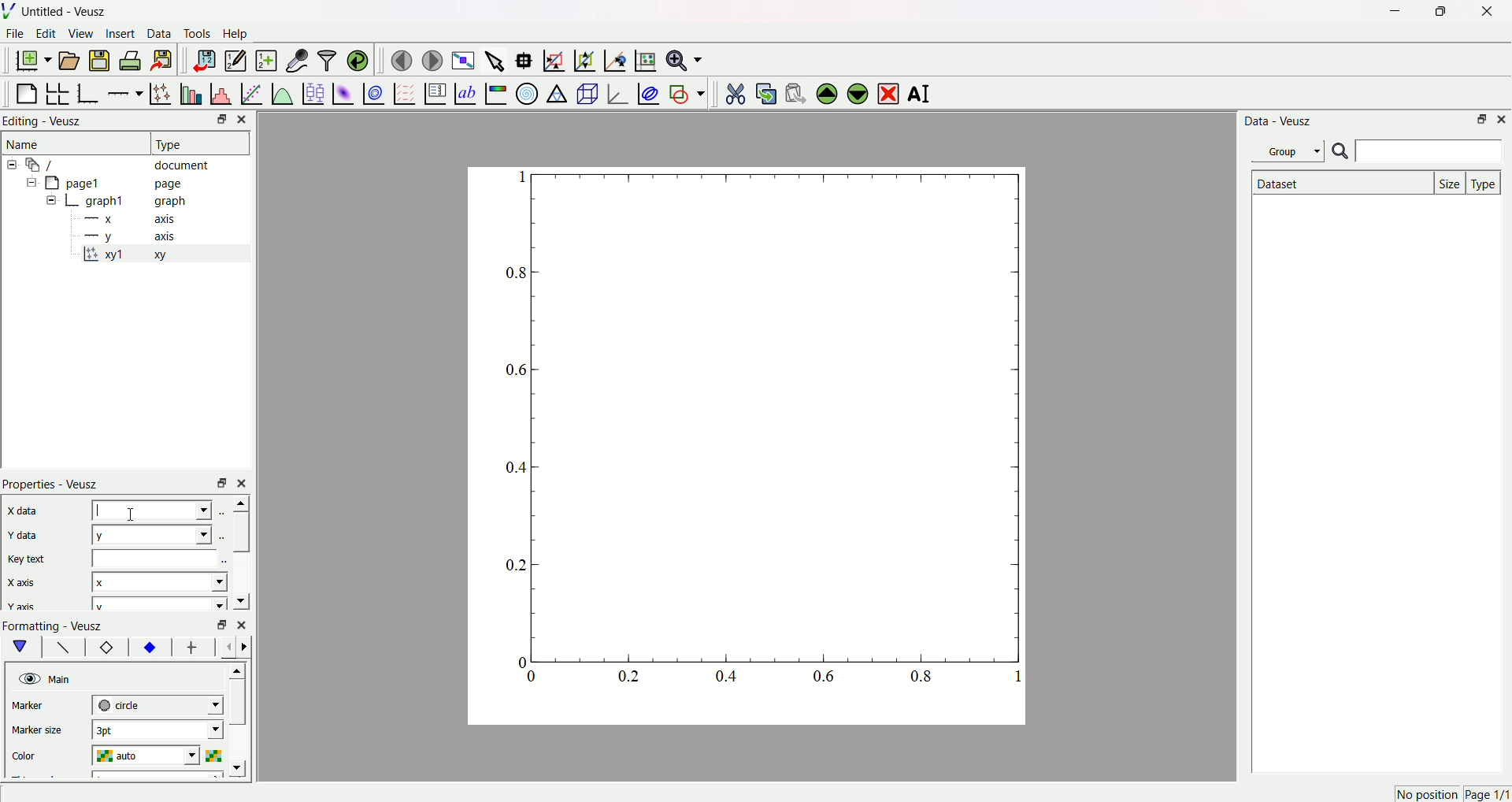 This screenshot has height=802, width=1512. I want to click on close, so click(242, 623).